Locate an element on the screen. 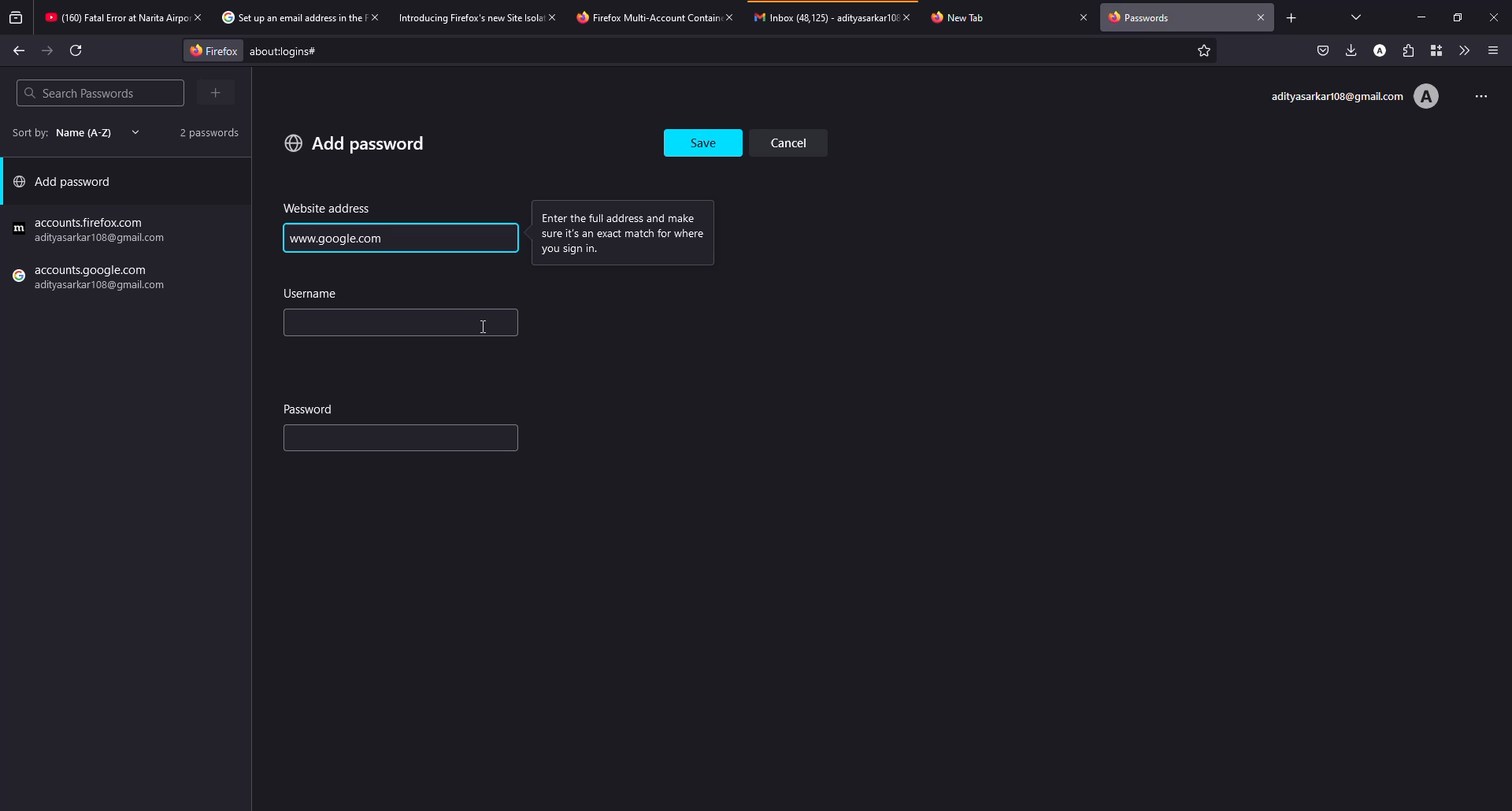 The width and height of the screenshot is (1512, 811). tab is located at coordinates (469, 17).